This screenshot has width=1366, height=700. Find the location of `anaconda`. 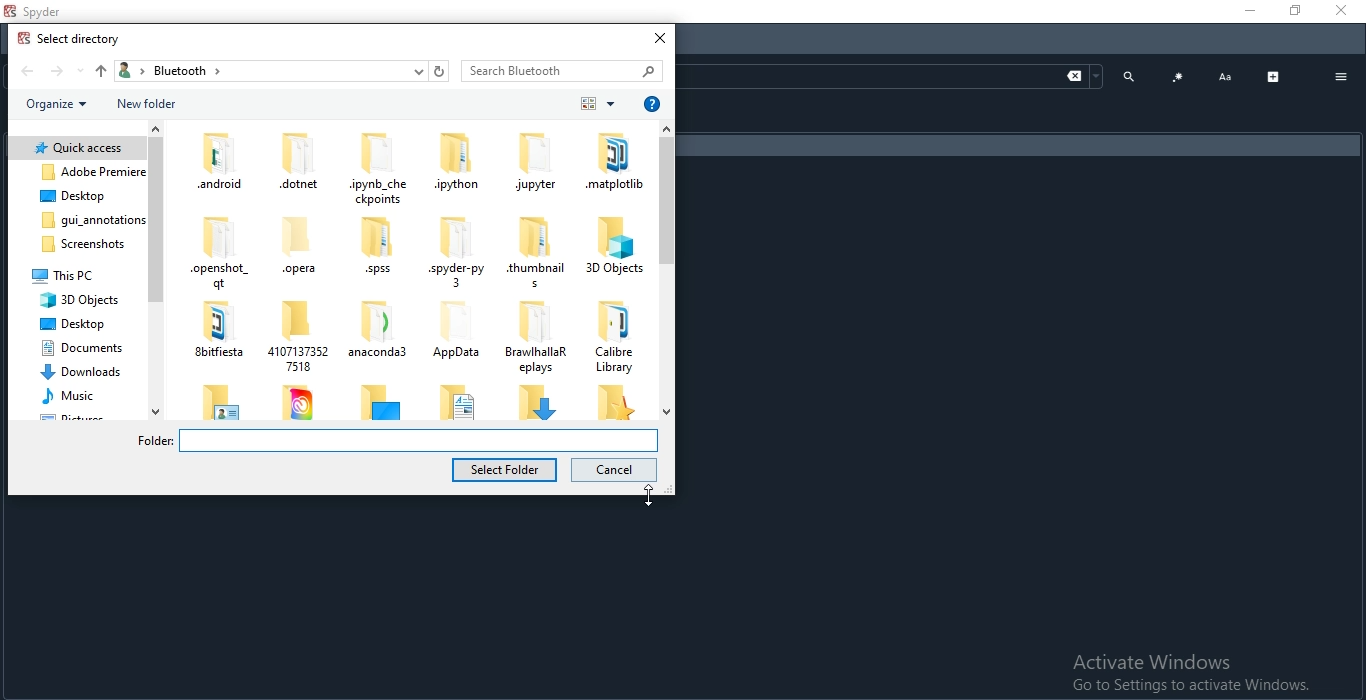

anaconda is located at coordinates (373, 332).